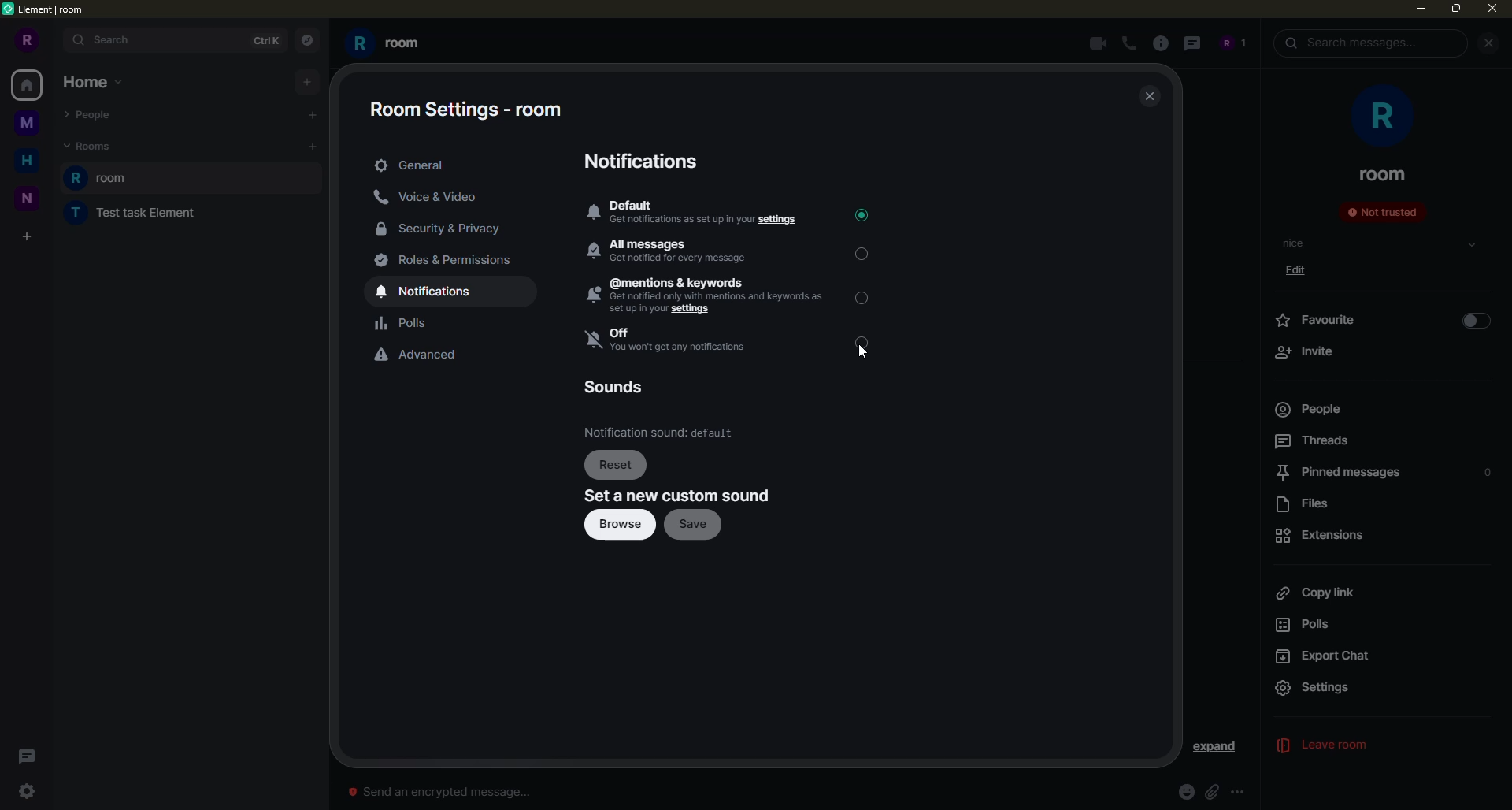  What do you see at coordinates (1330, 688) in the screenshot?
I see `settings` at bounding box center [1330, 688].